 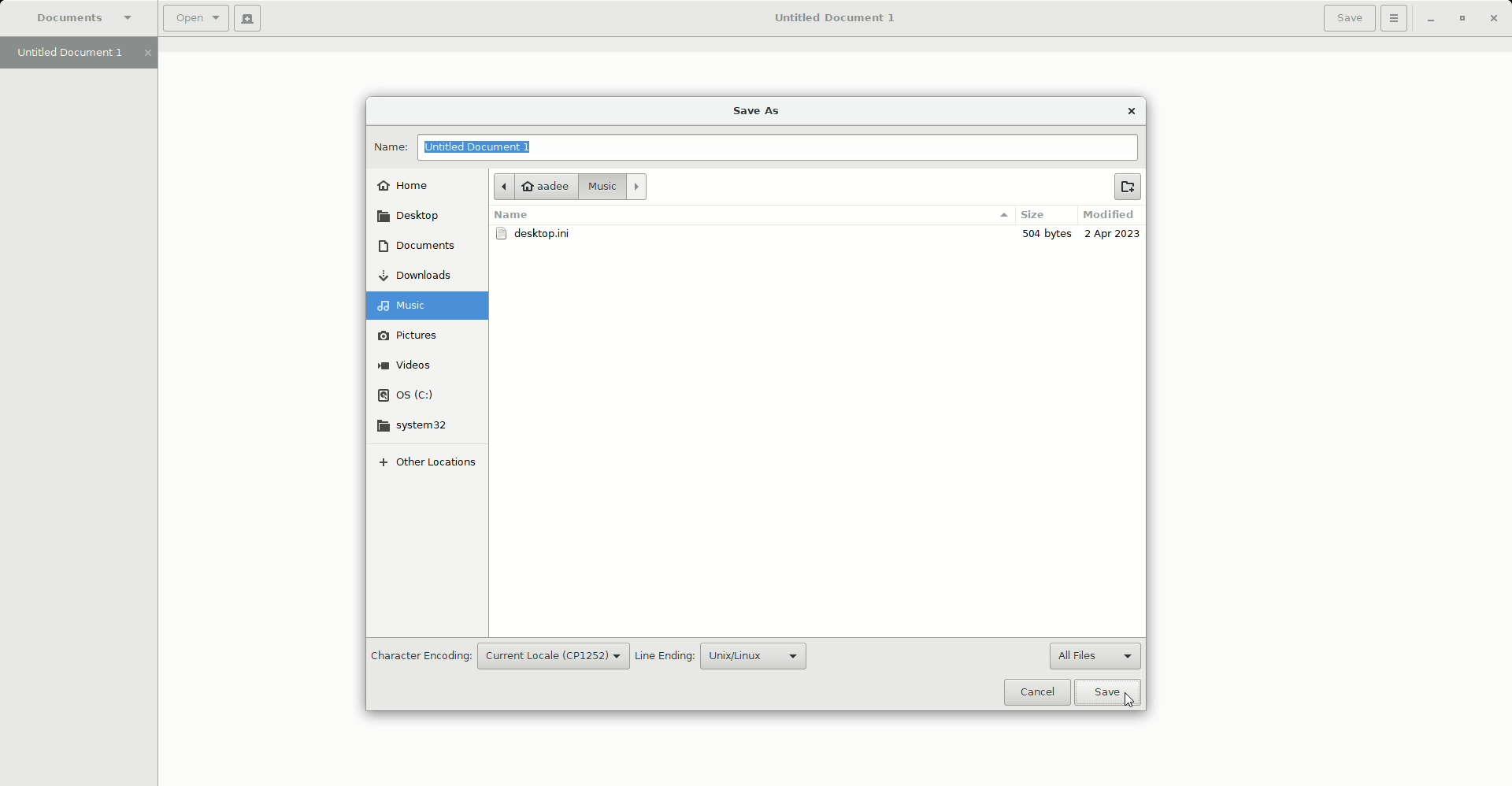 What do you see at coordinates (536, 235) in the screenshot?
I see `desktop.ini` at bounding box center [536, 235].